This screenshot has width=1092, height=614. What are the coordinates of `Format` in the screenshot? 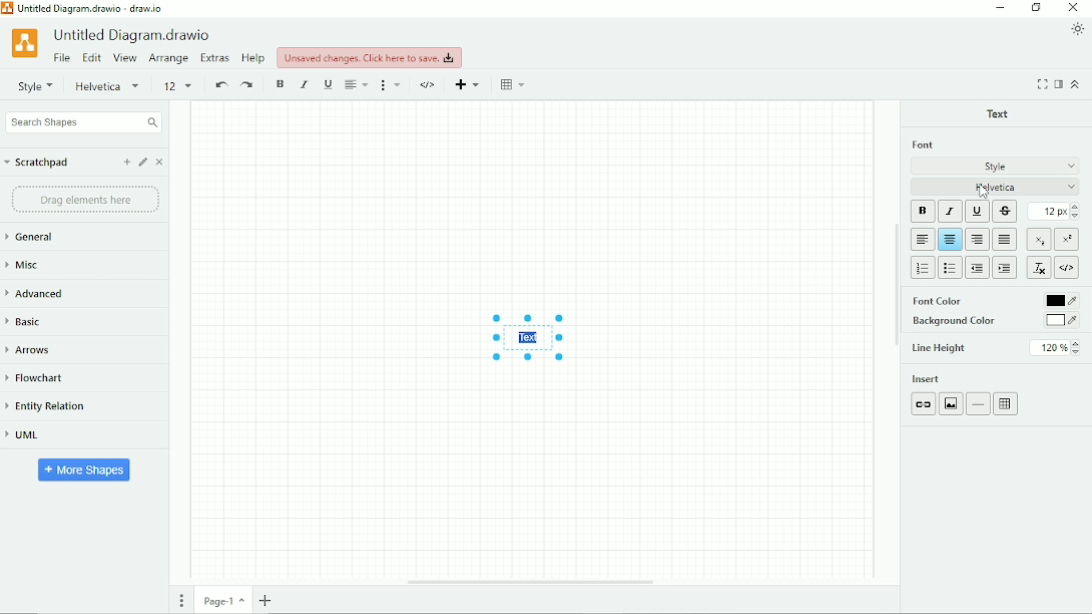 It's located at (392, 85).